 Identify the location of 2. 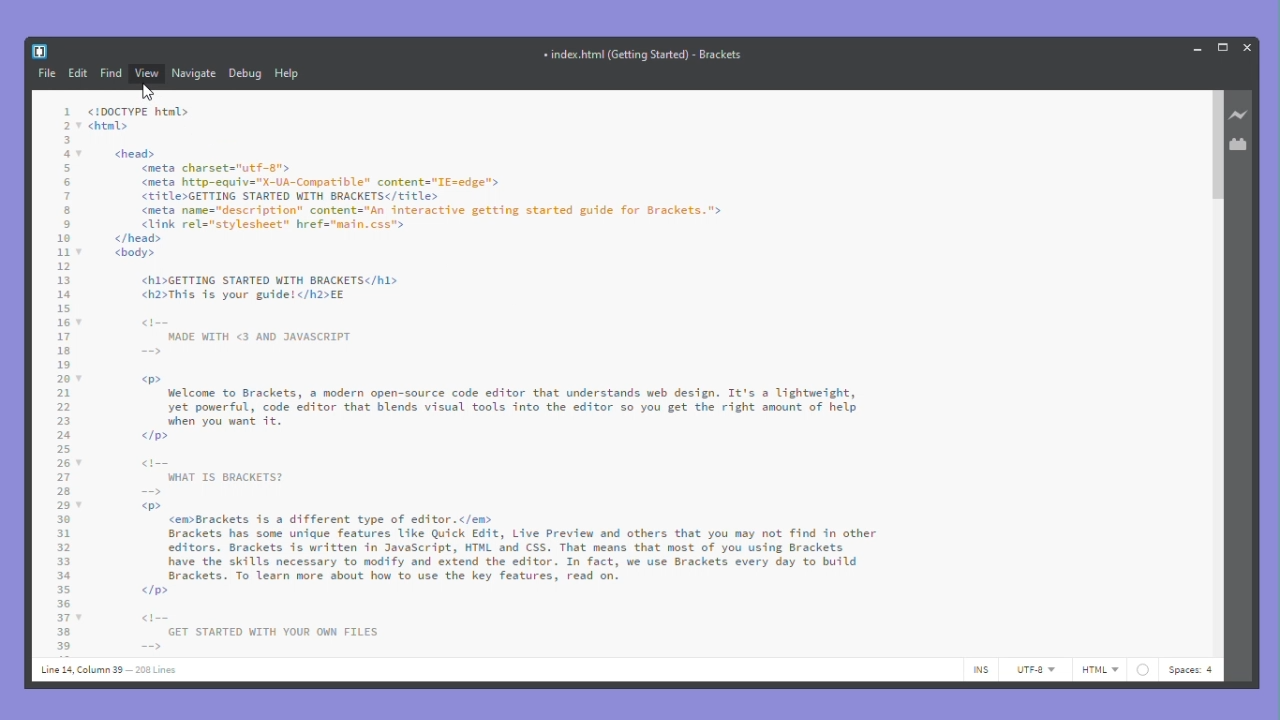
(67, 126).